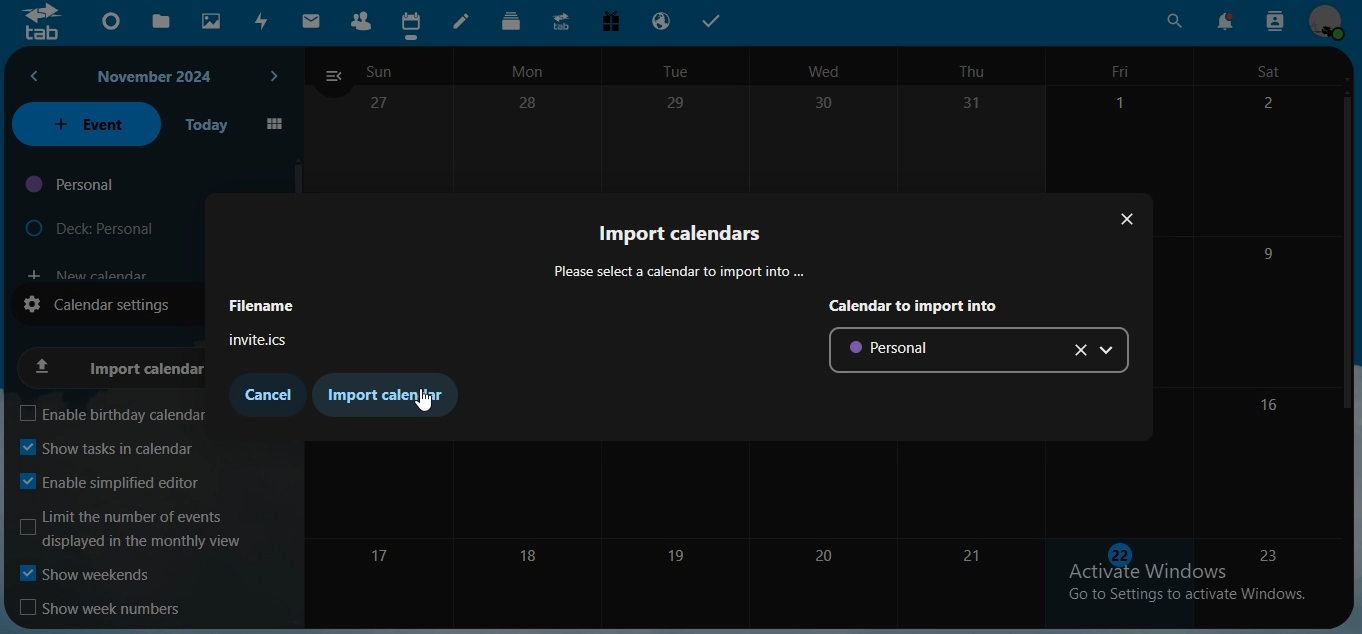  Describe the element at coordinates (1325, 22) in the screenshot. I see `view profile` at that location.